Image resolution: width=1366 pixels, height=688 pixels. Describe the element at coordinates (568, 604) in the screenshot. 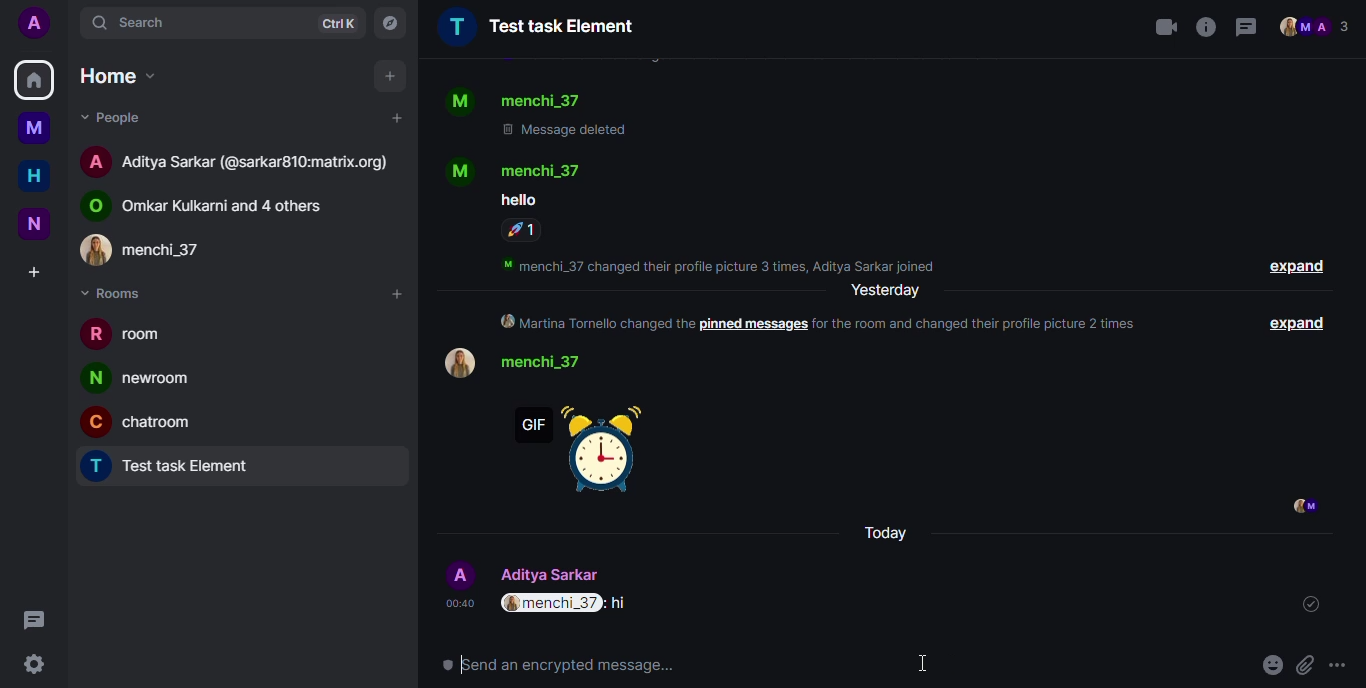

I see `message highlighted for specific user` at that location.